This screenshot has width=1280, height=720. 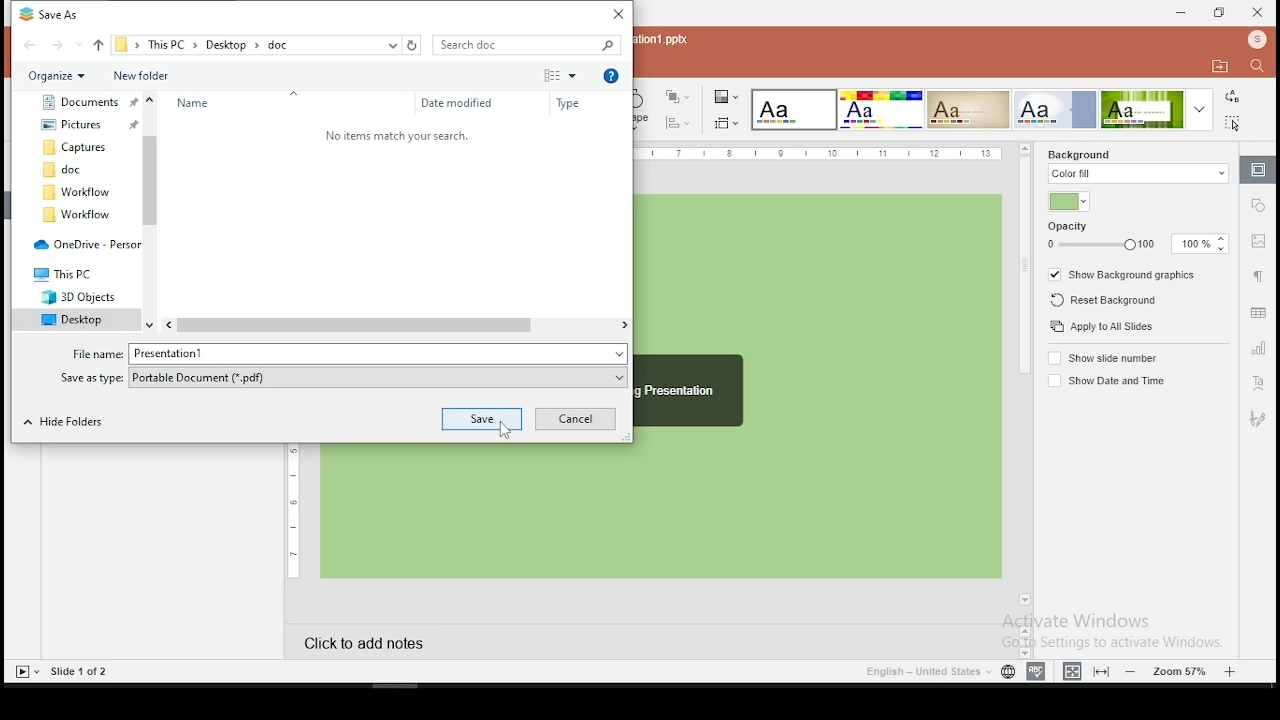 What do you see at coordinates (79, 215) in the screenshot?
I see `workflow` at bounding box center [79, 215].